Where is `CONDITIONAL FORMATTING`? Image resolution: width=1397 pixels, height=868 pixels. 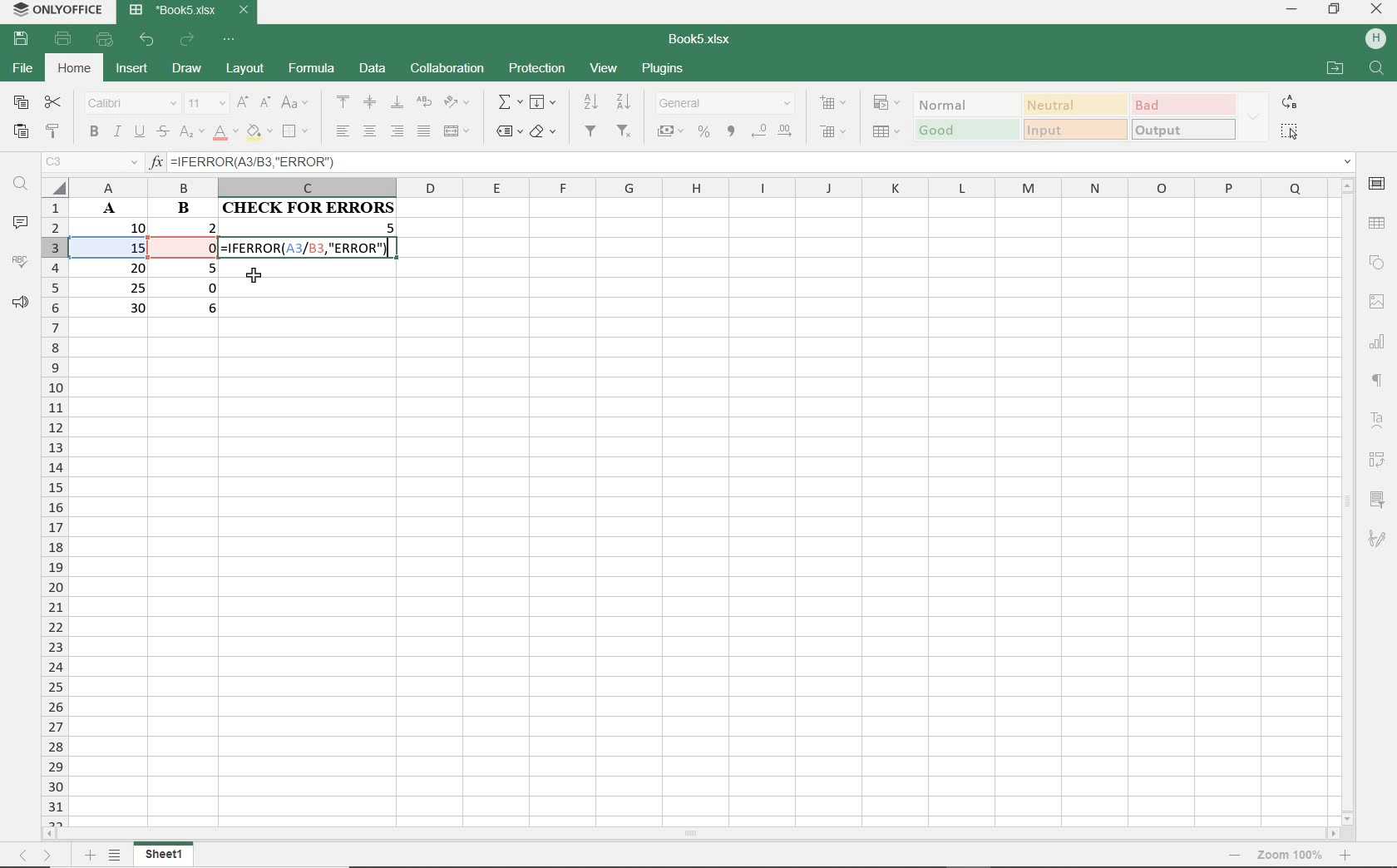
CONDITIONAL FORMATTING is located at coordinates (886, 104).